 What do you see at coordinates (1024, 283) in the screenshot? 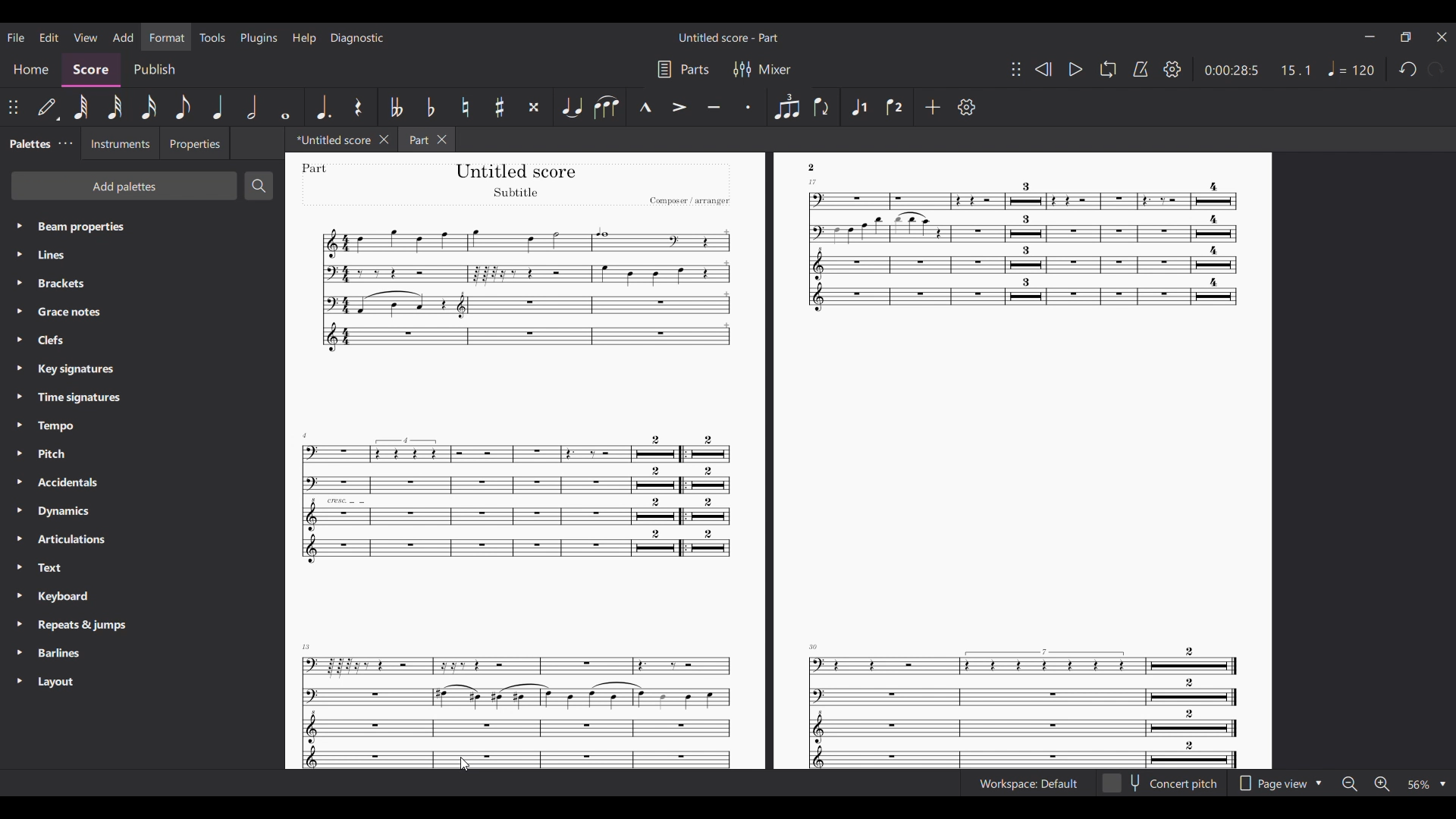
I see `` at bounding box center [1024, 283].